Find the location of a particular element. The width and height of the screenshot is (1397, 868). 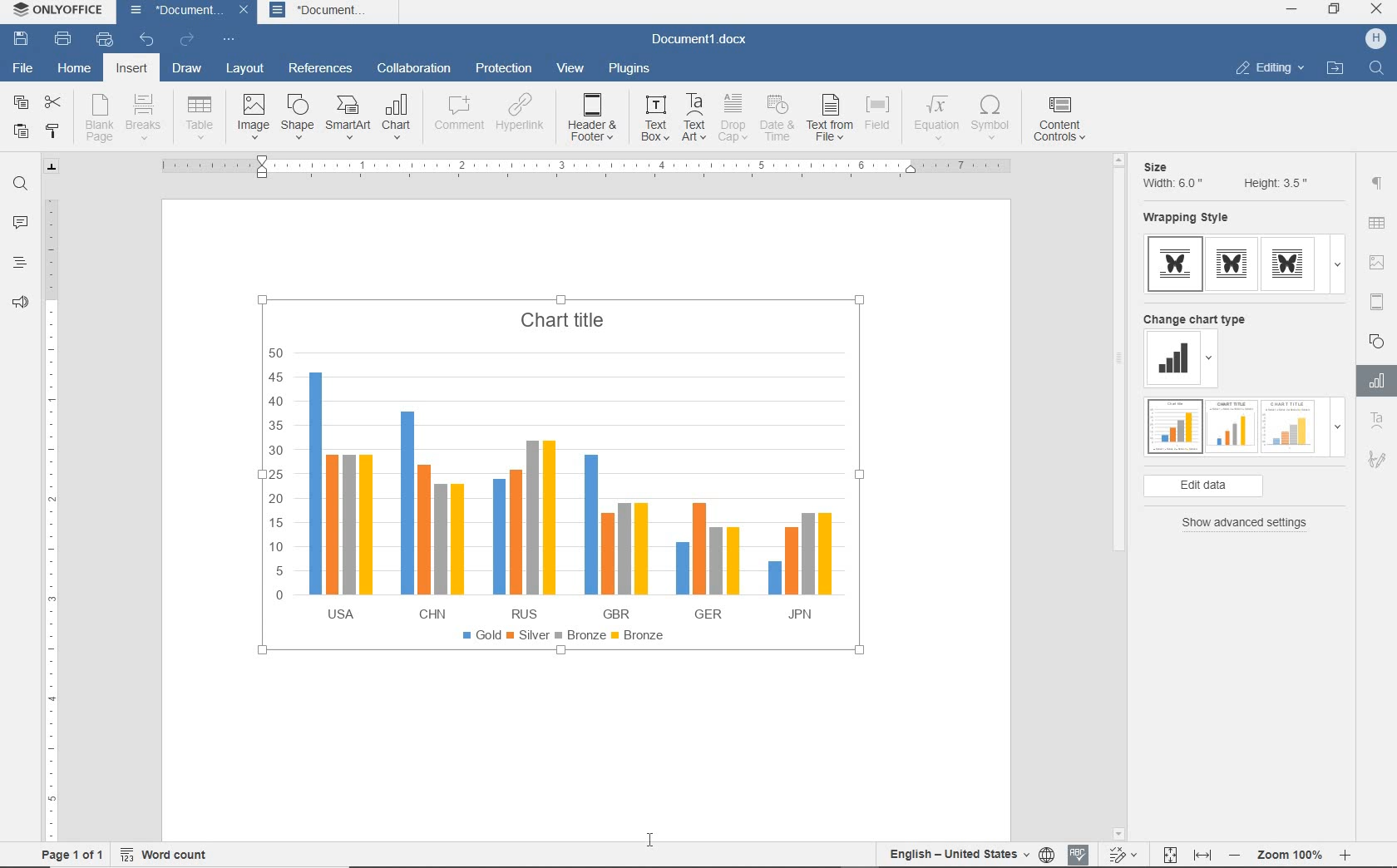

minimize is located at coordinates (1292, 9).